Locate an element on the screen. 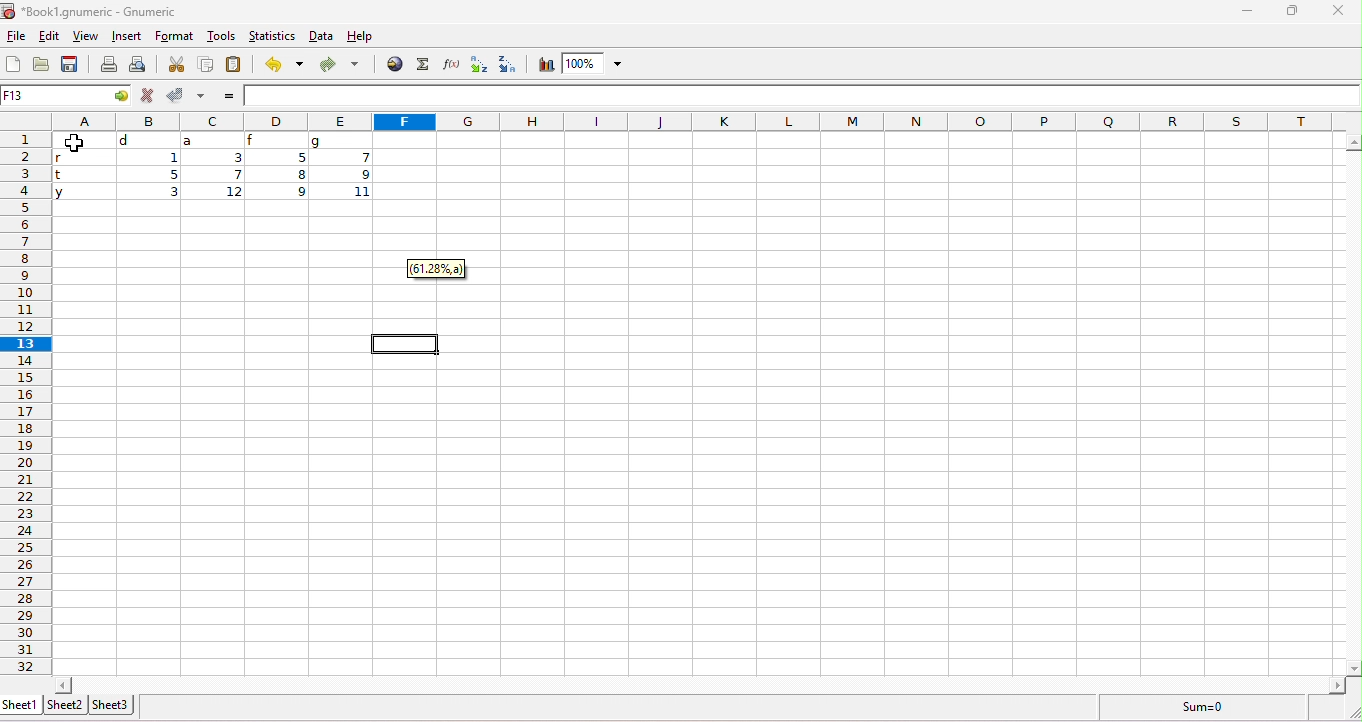 The height and width of the screenshot is (722, 1362). accept changes is located at coordinates (176, 94).